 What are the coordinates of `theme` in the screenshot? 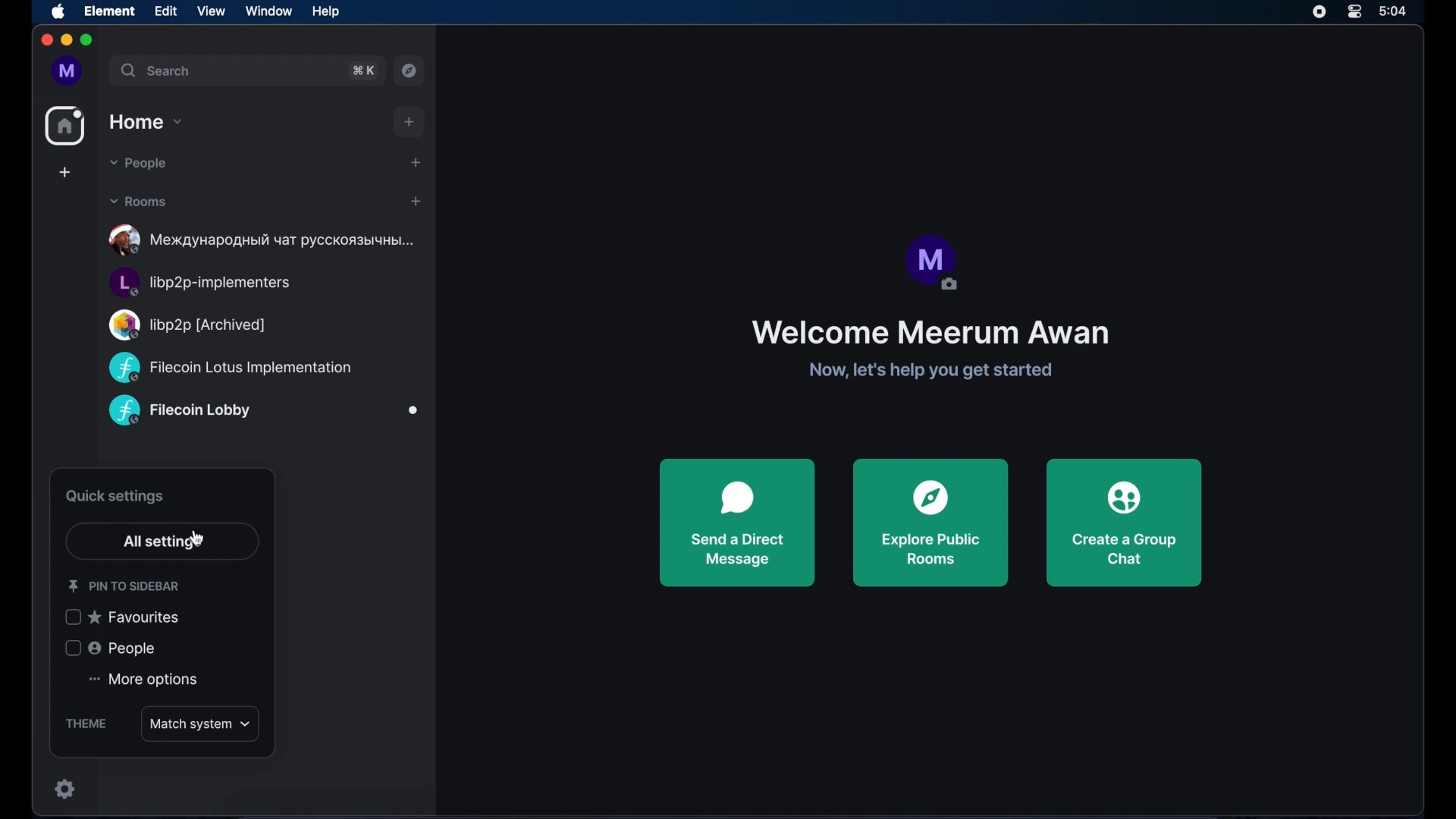 It's located at (88, 718).